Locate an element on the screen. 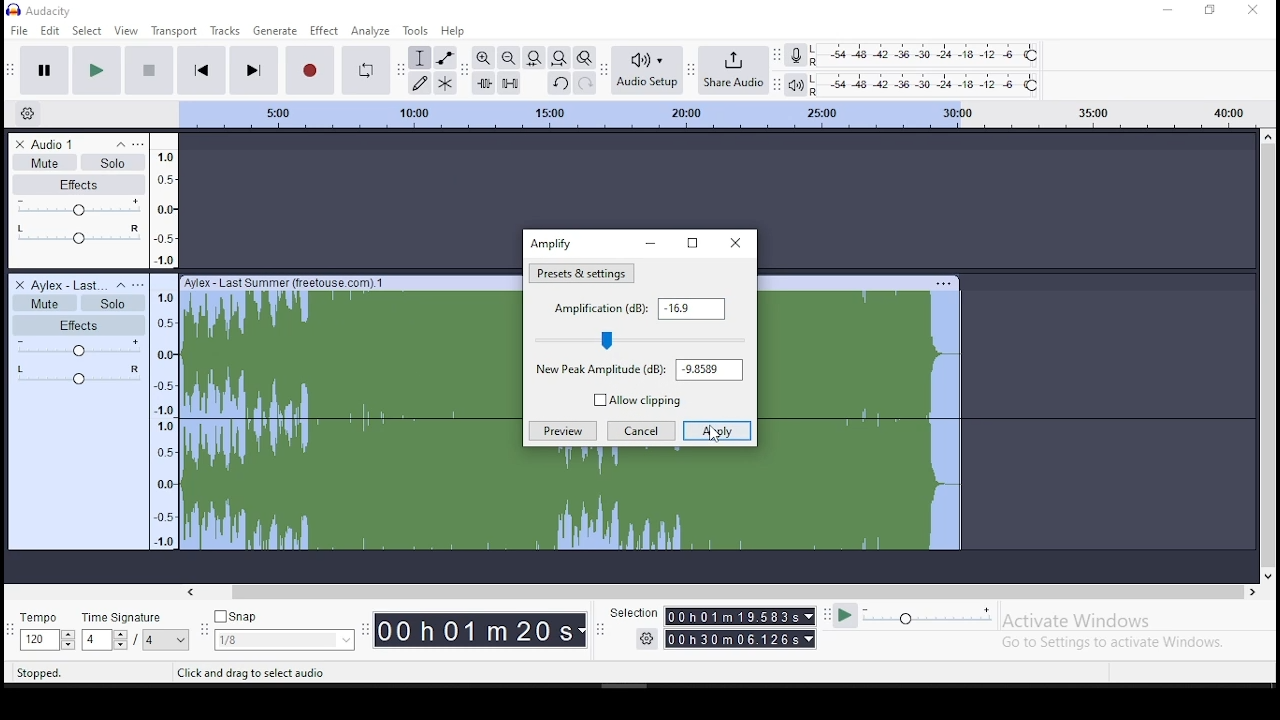 The height and width of the screenshot is (720, 1280). amplify is located at coordinates (553, 242).